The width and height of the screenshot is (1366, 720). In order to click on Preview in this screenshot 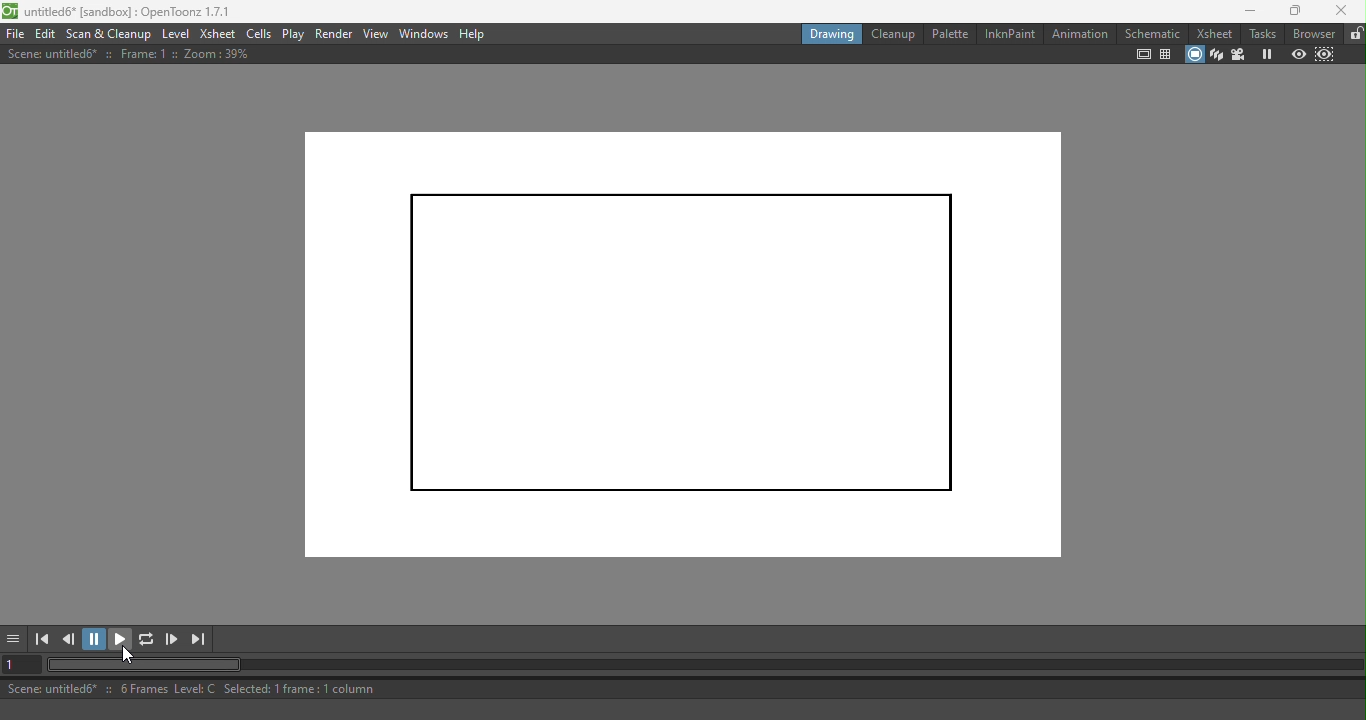, I will do `click(1299, 55)`.